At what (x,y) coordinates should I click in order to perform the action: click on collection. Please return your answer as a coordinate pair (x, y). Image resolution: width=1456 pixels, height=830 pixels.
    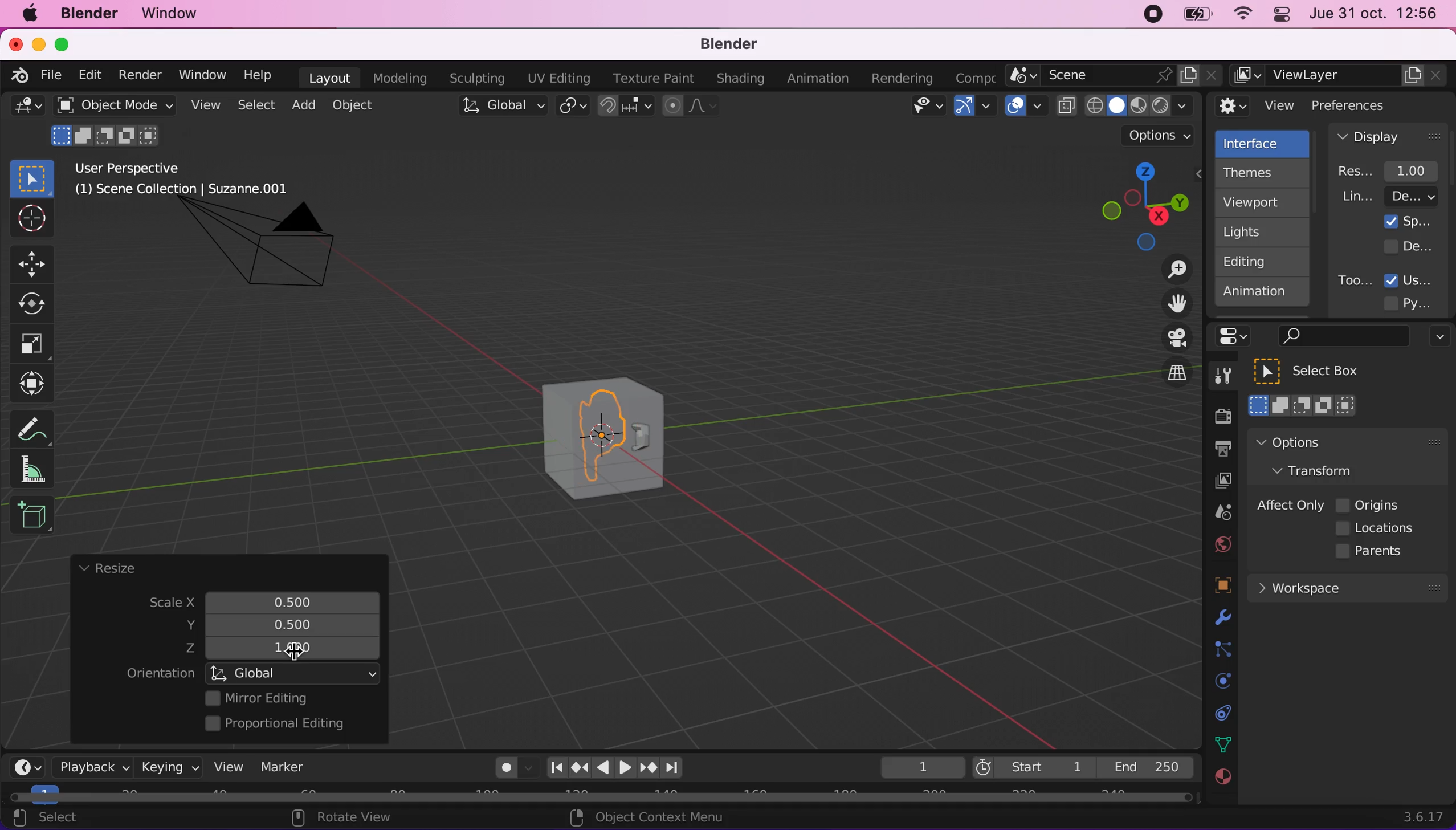
    Looking at the image, I should click on (1220, 713).